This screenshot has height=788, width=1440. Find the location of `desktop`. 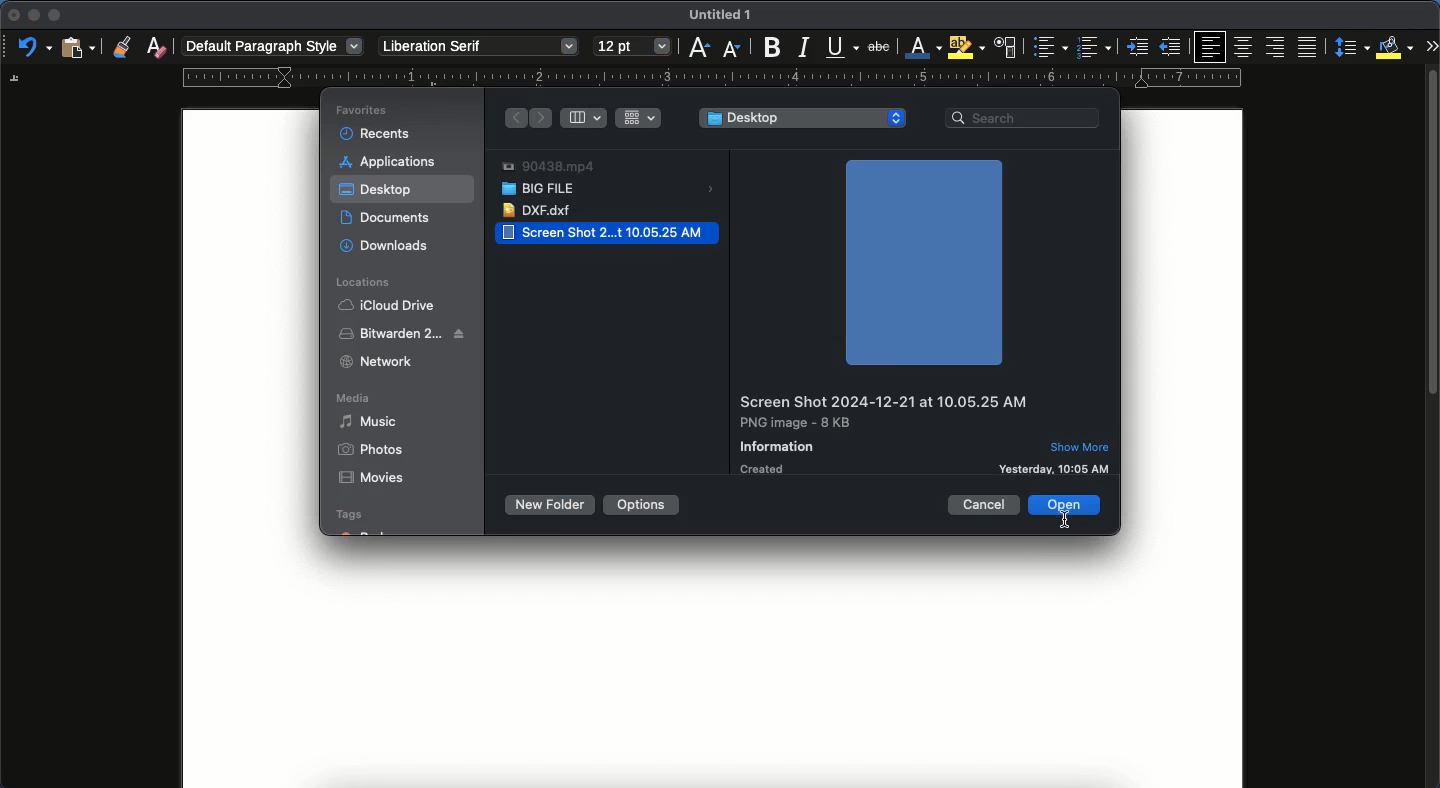

desktop is located at coordinates (803, 119).